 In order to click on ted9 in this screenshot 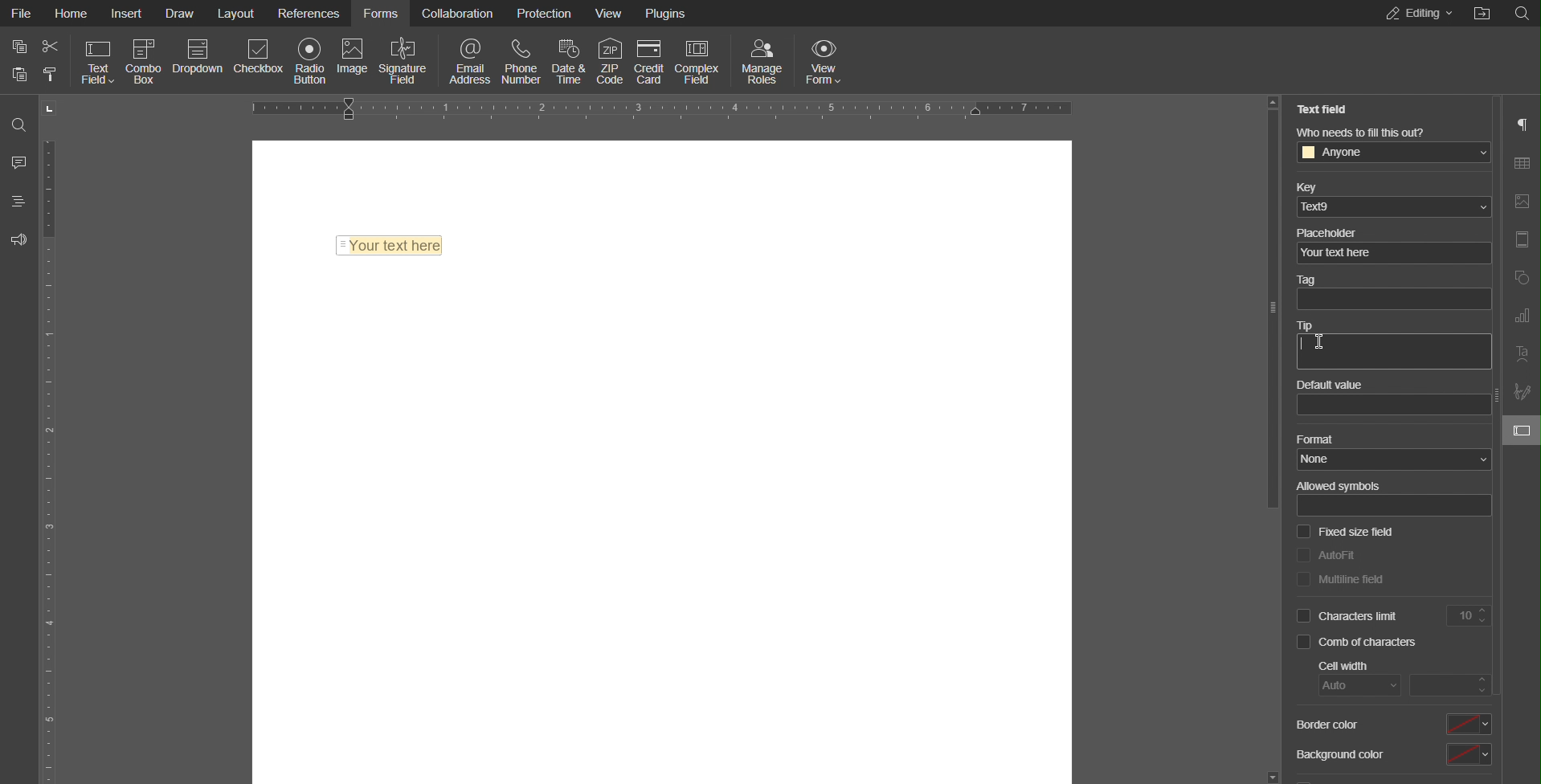, I will do `click(1395, 209)`.